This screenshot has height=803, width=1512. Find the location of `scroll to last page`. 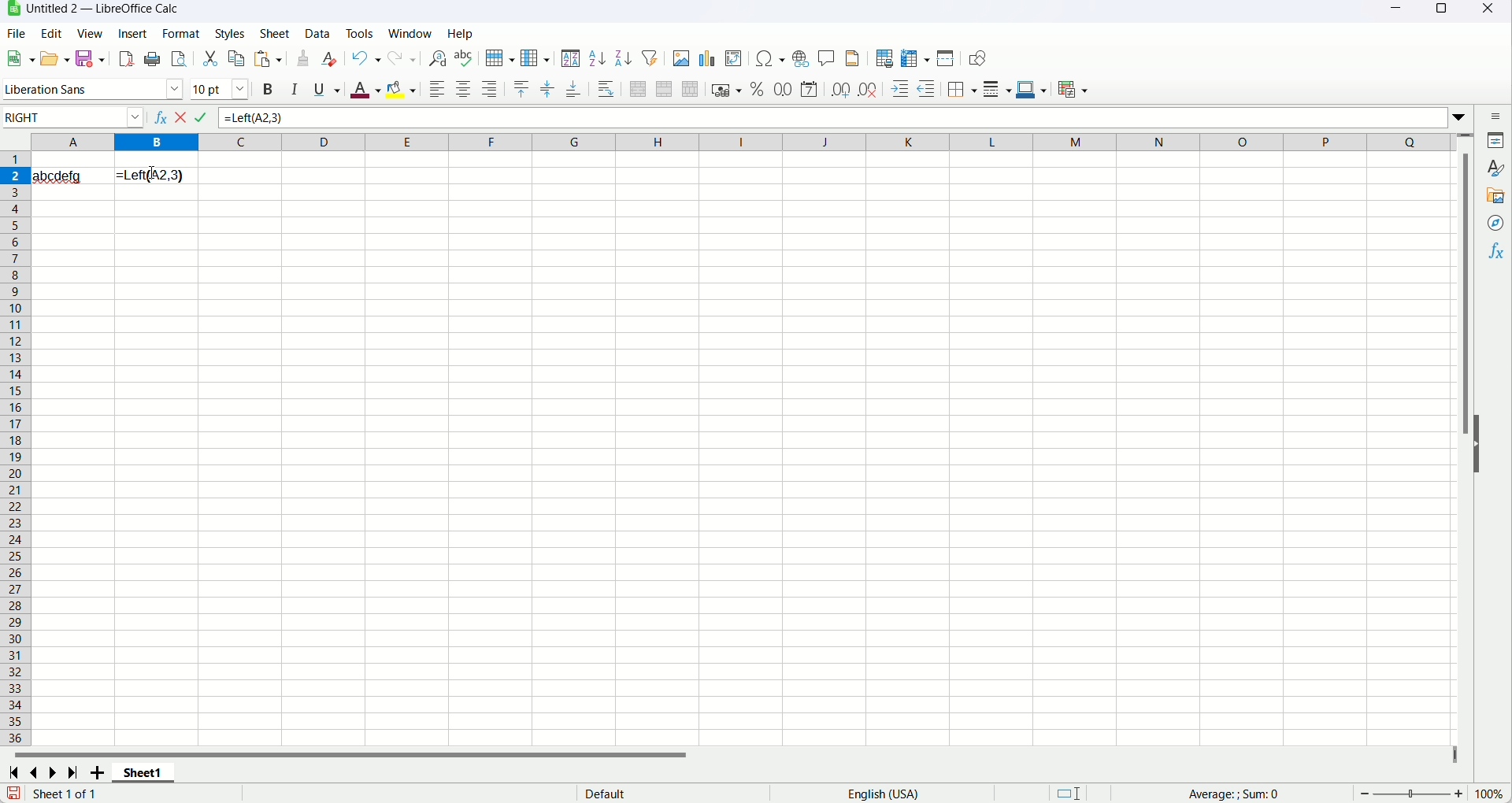

scroll to last page is located at coordinates (72, 771).